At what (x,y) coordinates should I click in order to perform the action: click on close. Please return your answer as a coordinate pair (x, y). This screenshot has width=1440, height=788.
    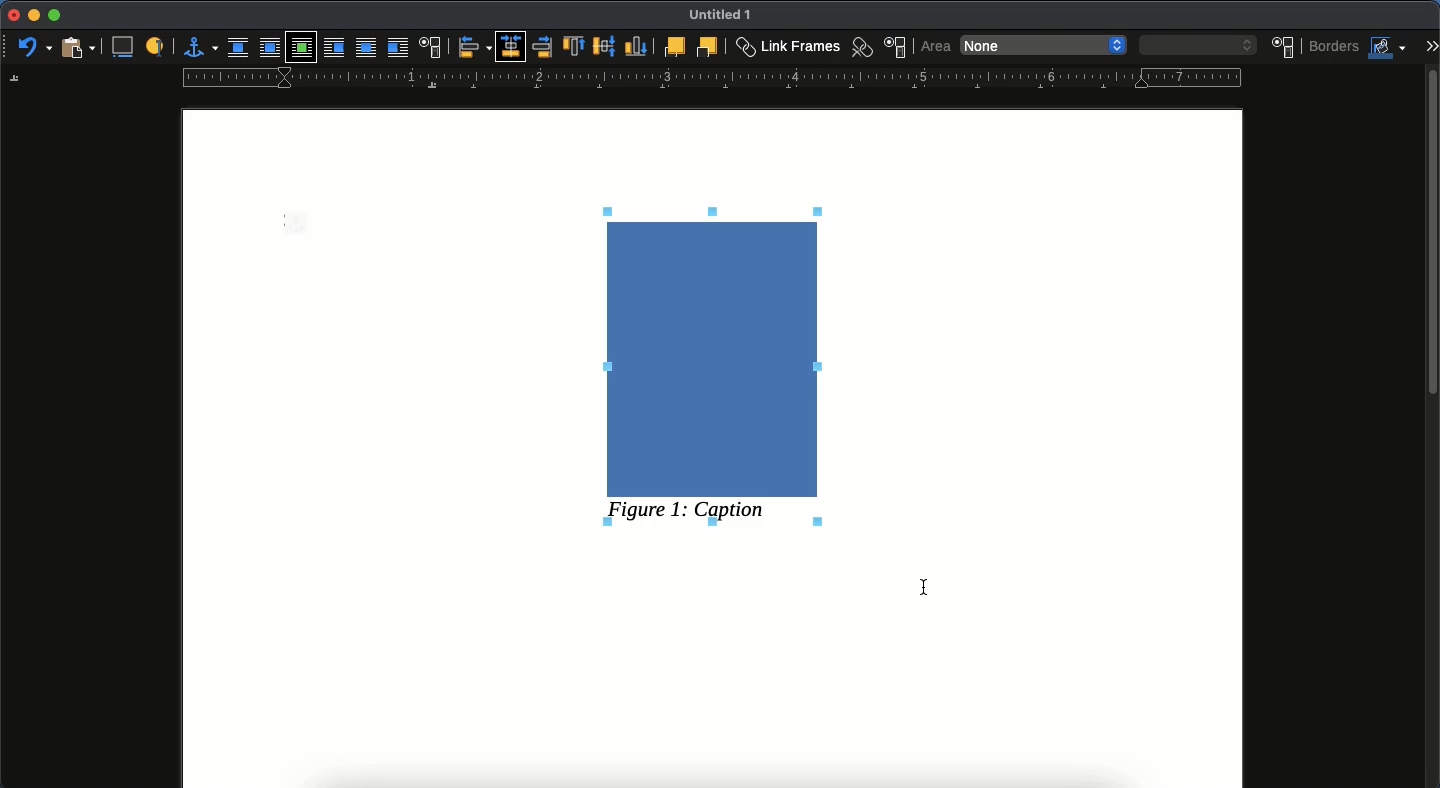
    Looking at the image, I should click on (12, 16).